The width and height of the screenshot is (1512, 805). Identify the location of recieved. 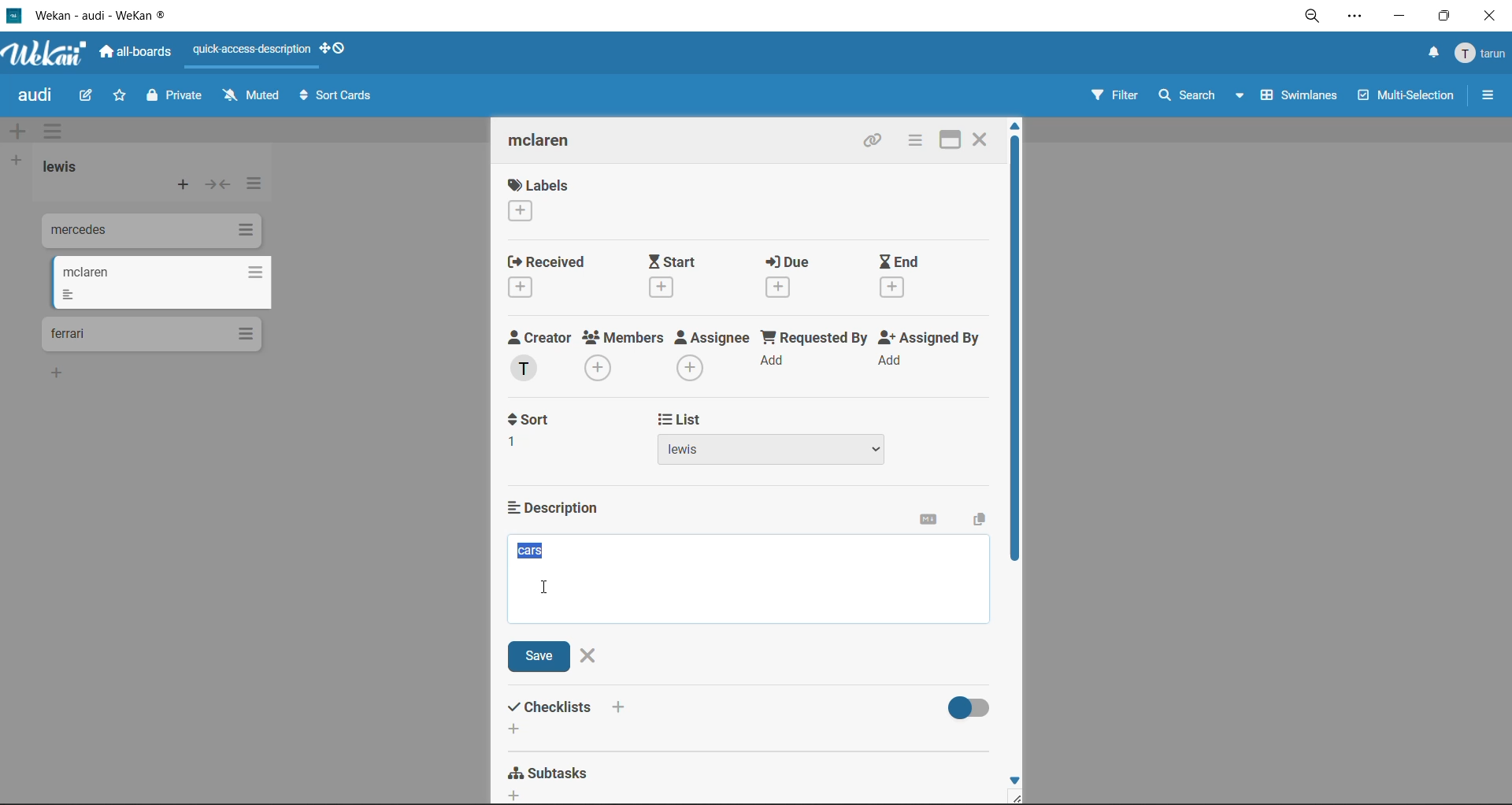
(552, 276).